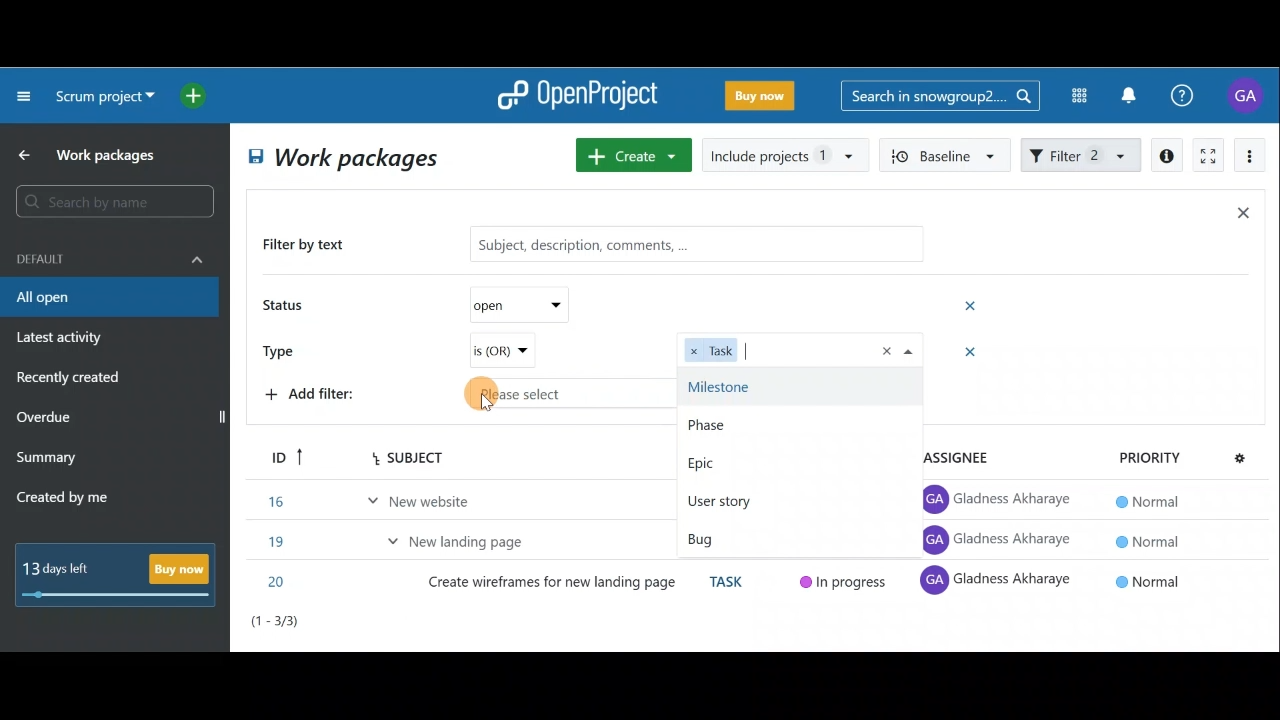  What do you see at coordinates (577, 97) in the screenshot?
I see `OpenProject` at bounding box center [577, 97].